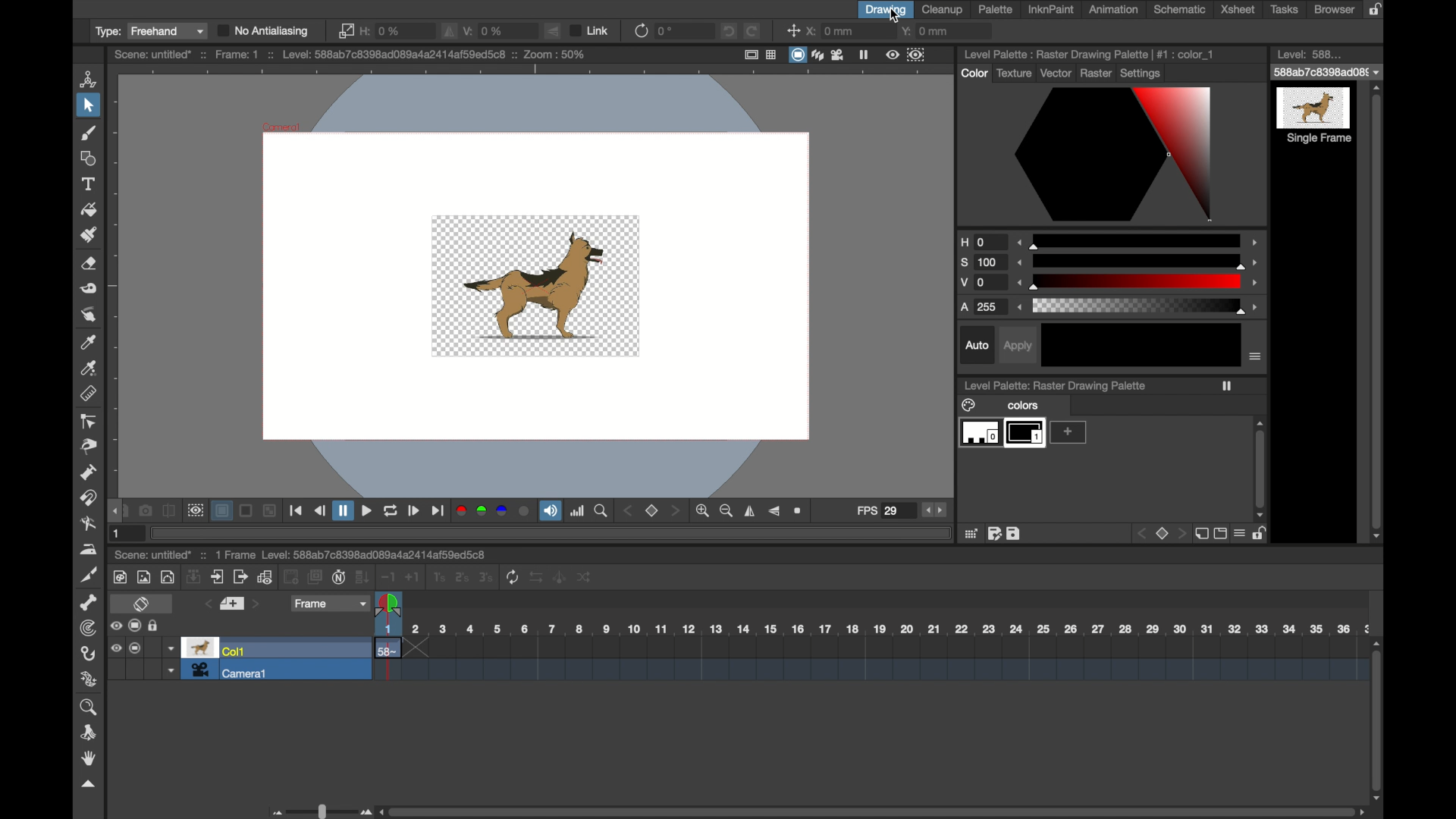 Image resolution: width=1456 pixels, height=819 pixels. What do you see at coordinates (168, 648) in the screenshot?
I see `down` at bounding box center [168, 648].